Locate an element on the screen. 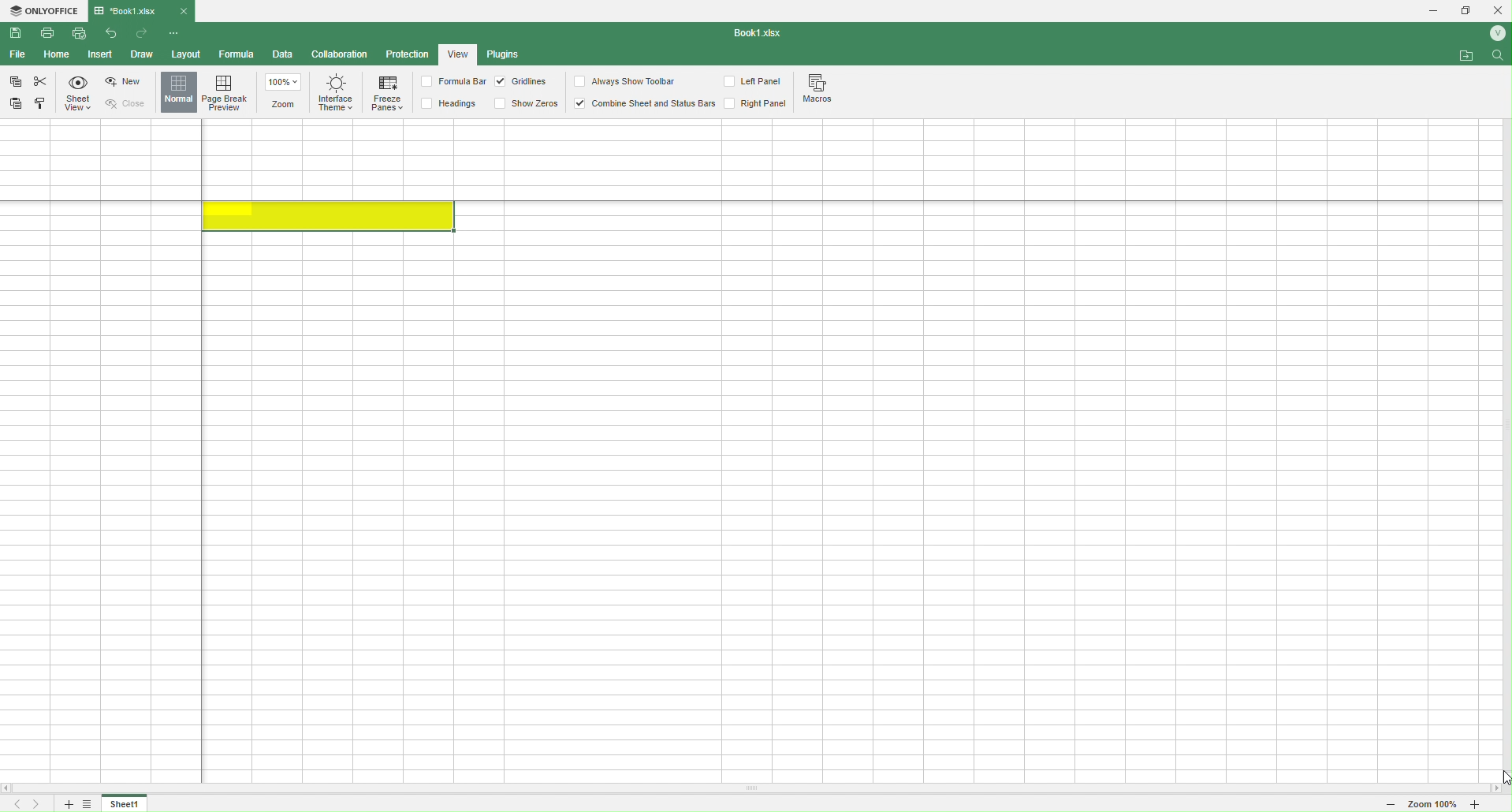 The image size is (1512, 812). Scroll bar is located at coordinates (1502, 425).